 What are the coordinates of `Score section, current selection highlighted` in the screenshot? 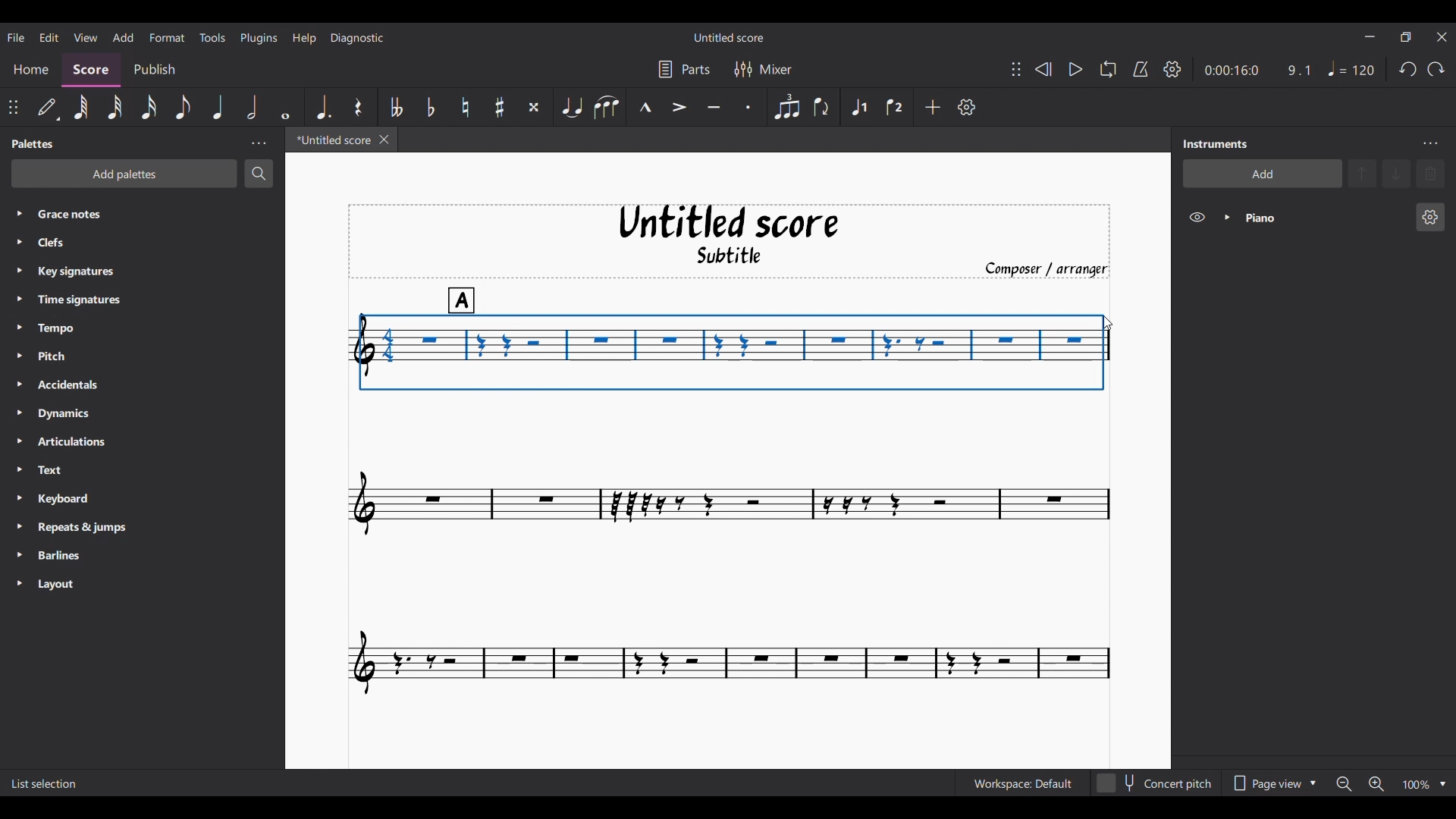 It's located at (94, 68).